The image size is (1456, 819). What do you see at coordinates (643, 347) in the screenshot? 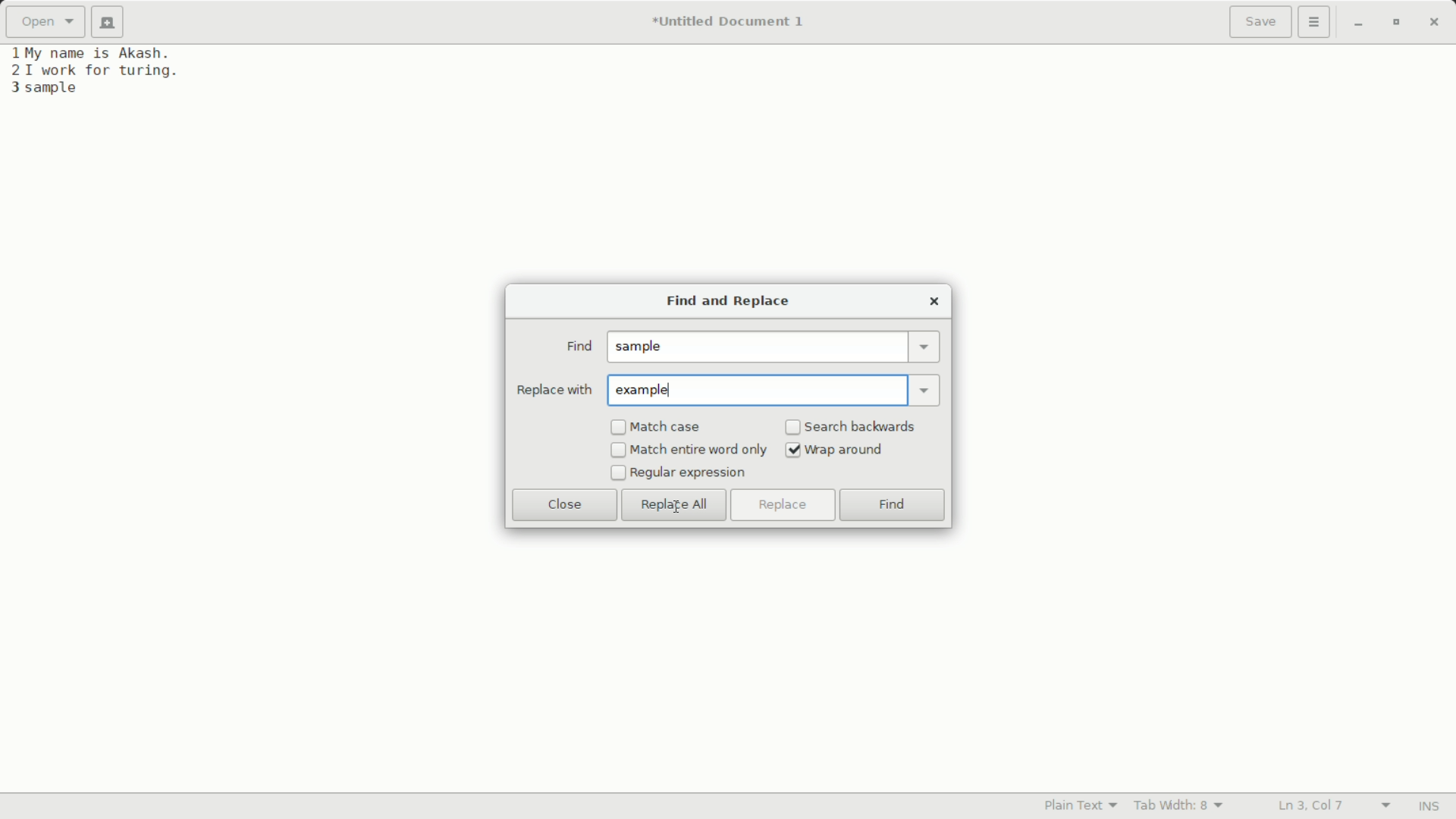
I see `sample` at bounding box center [643, 347].